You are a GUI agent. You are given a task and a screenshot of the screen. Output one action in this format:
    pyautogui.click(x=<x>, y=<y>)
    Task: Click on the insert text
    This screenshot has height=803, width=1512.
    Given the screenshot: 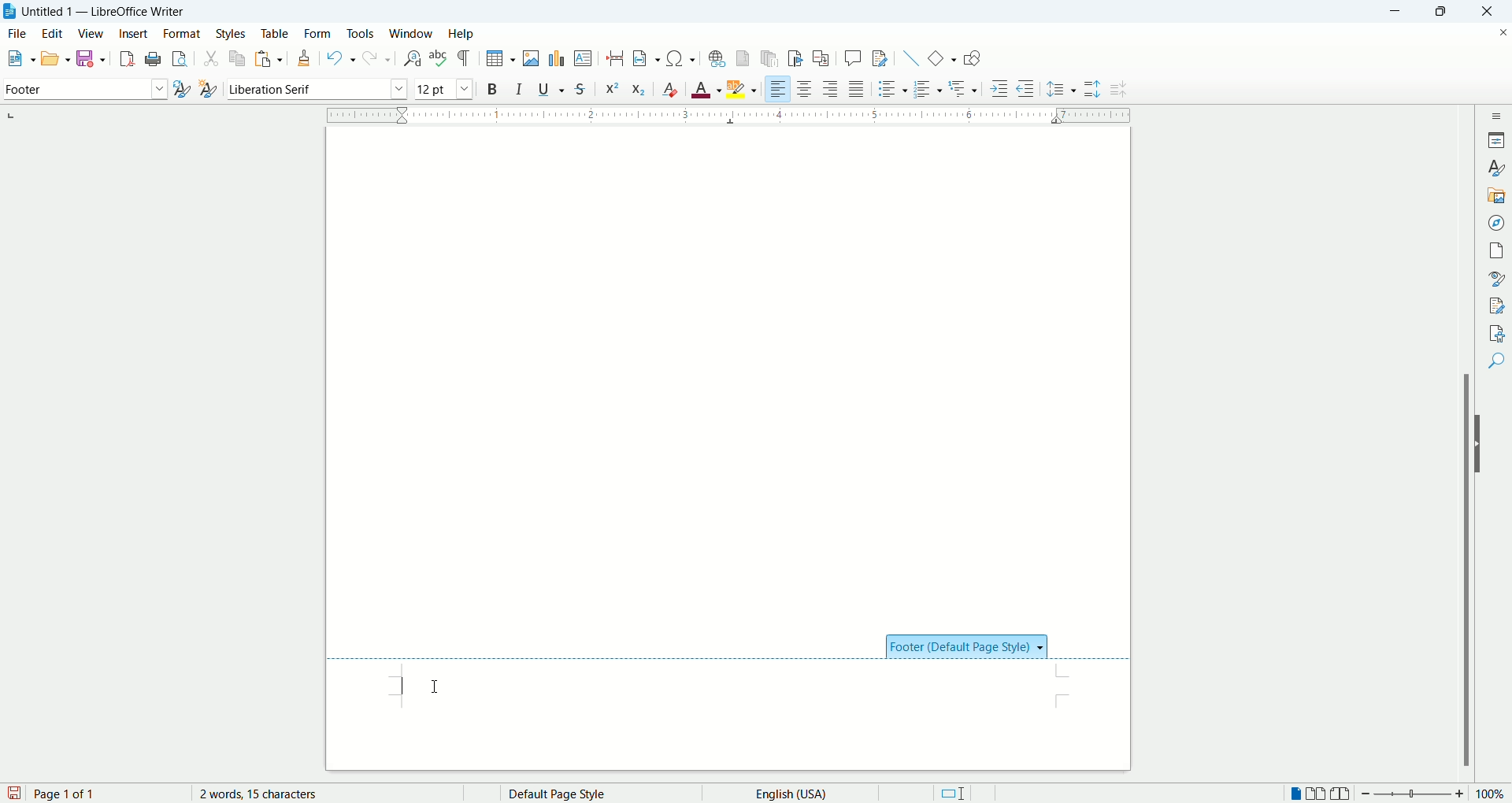 What is the action you would take?
    pyautogui.click(x=582, y=59)
    